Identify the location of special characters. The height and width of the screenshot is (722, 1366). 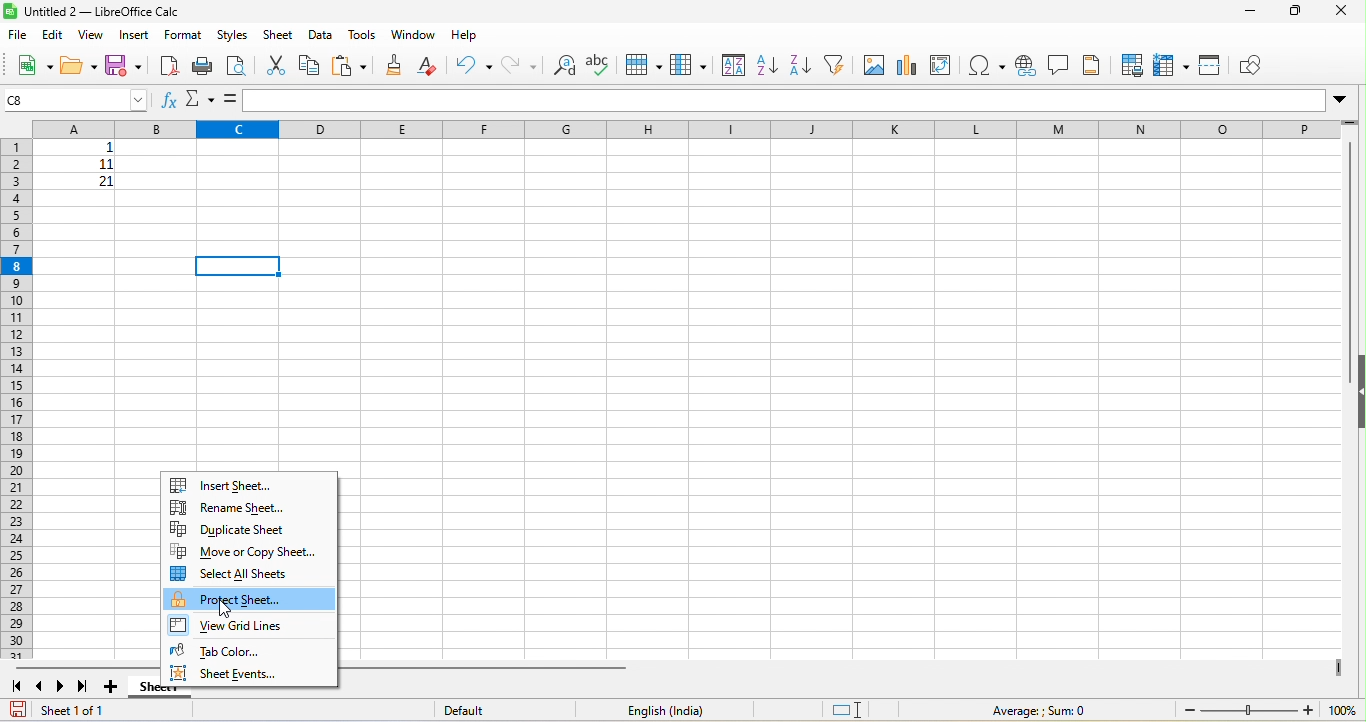
(988, 64).